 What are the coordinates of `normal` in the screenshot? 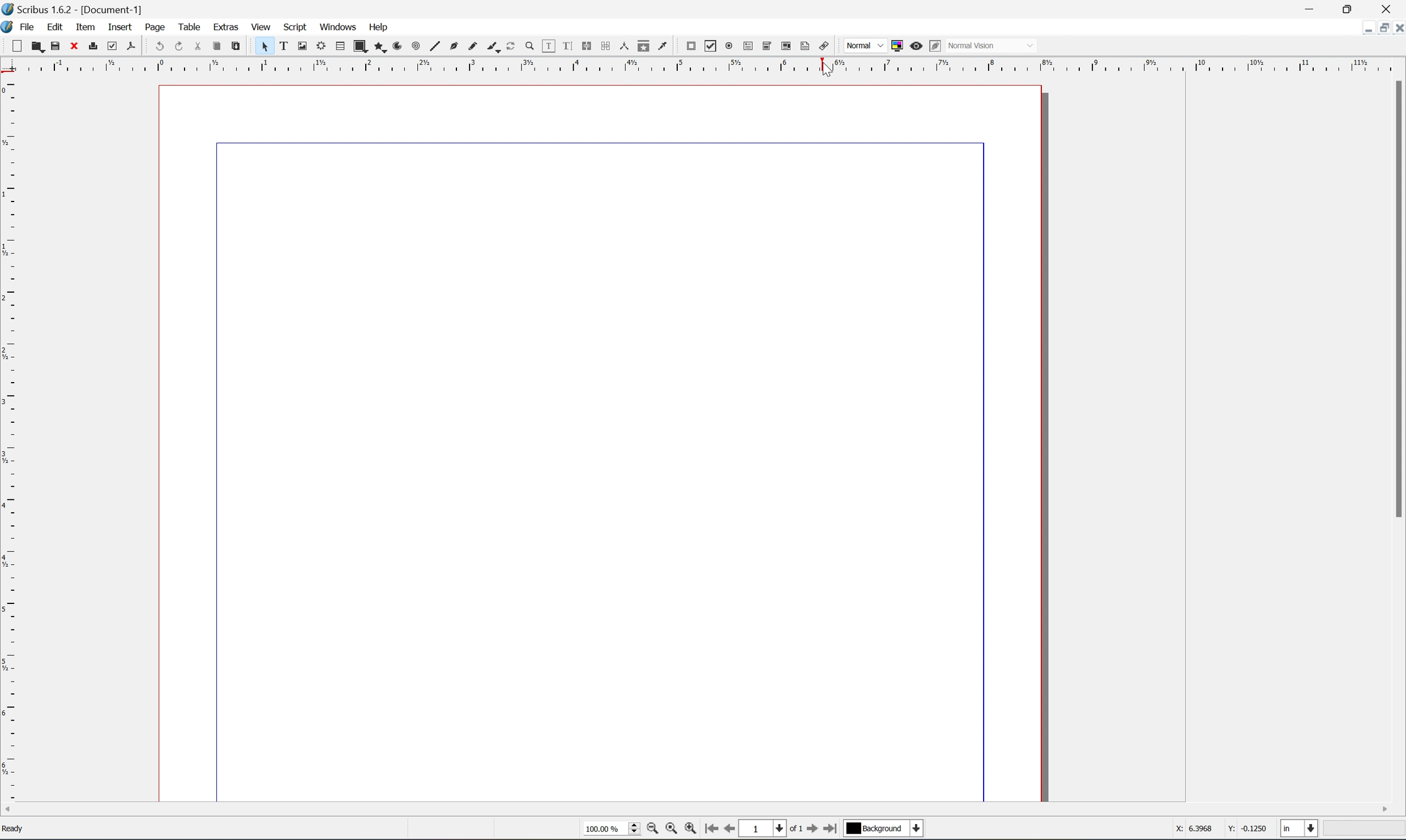 It's located at (866, 47).